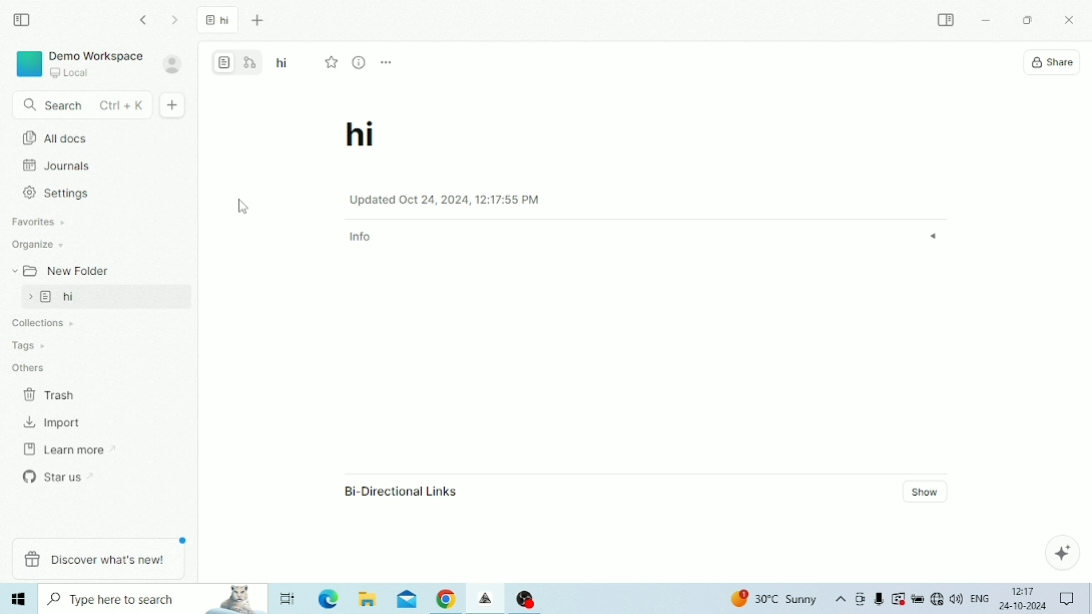  What do you see at coordinates (252, 133) in the screenshot?
I see `All docs` at bounding box center [252, 133].